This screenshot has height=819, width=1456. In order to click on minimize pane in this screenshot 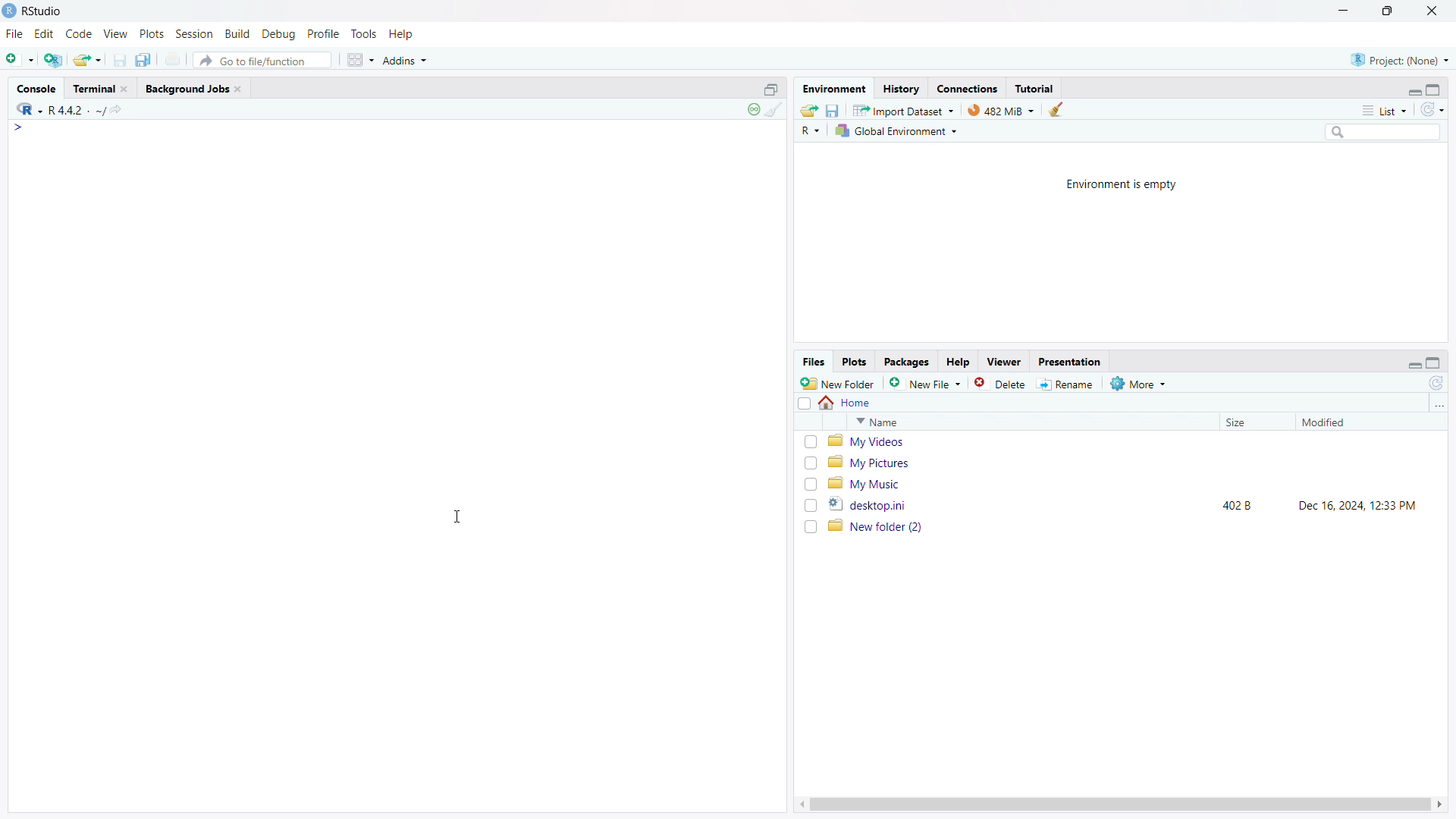, I will do `click(1414, 362)`.